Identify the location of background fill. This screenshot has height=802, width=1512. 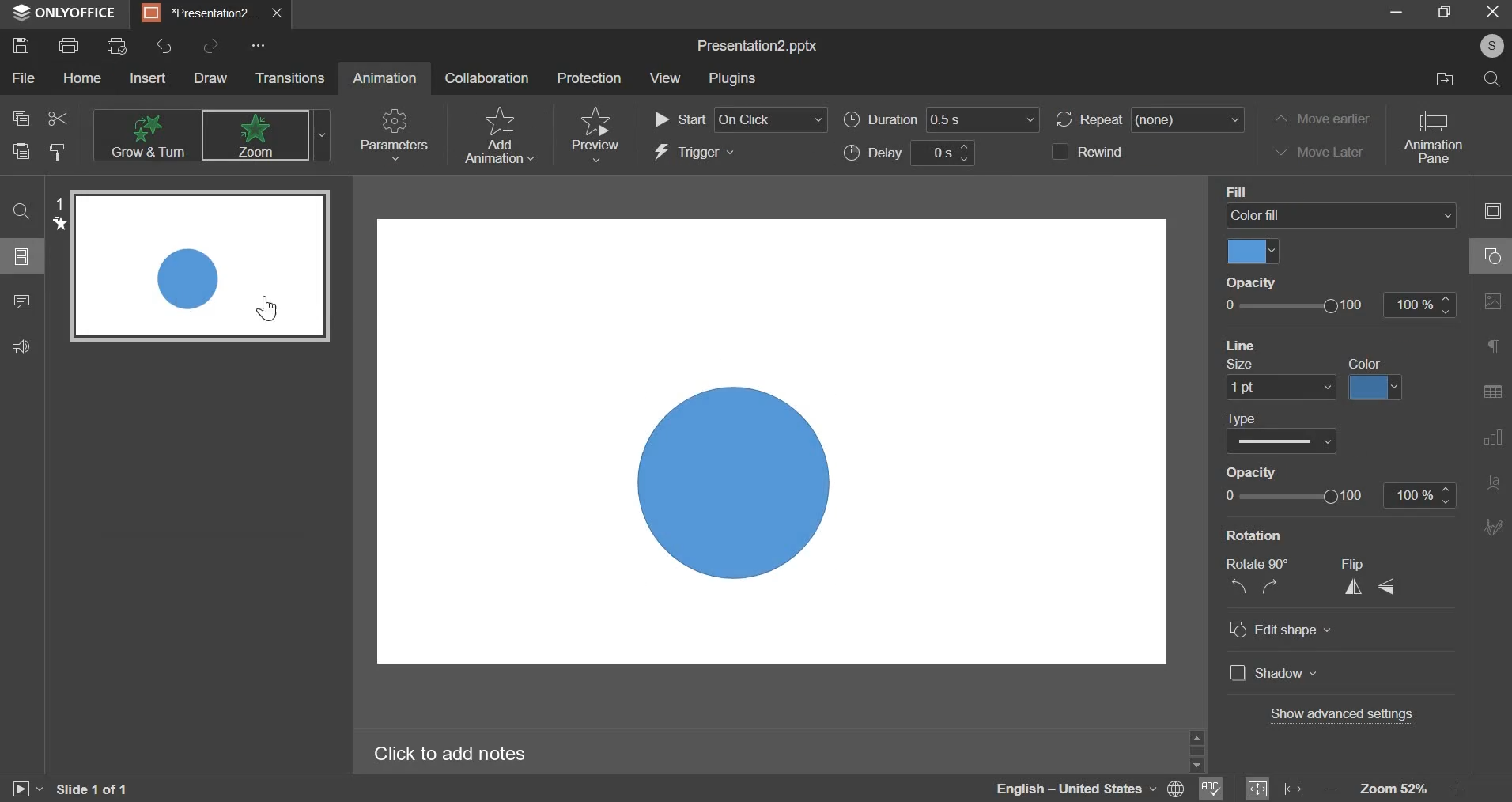
(1339, 216).